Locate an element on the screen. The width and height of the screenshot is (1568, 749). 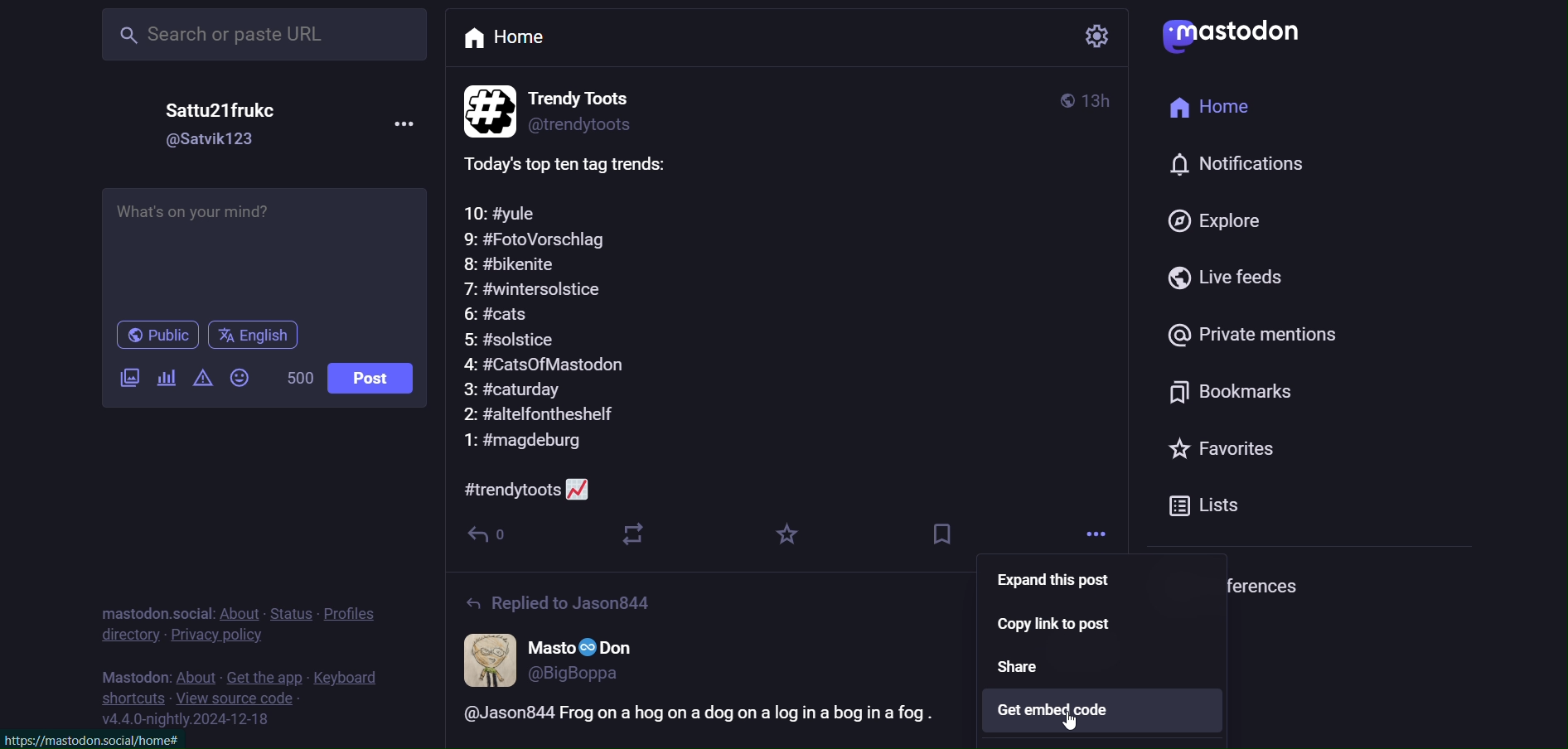
Replied to jason244 is located at coordinates (565, 601).